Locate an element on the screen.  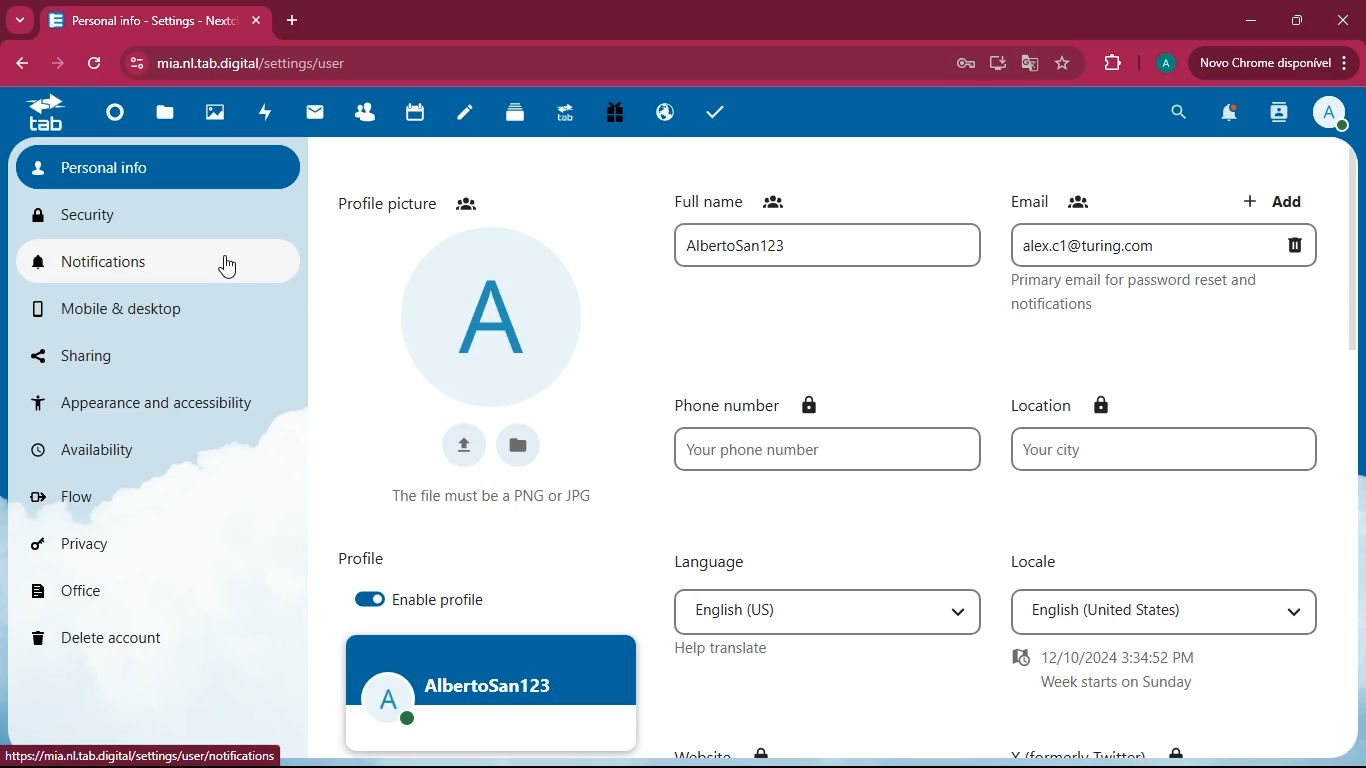
search is located at coordinates (1177, 112).